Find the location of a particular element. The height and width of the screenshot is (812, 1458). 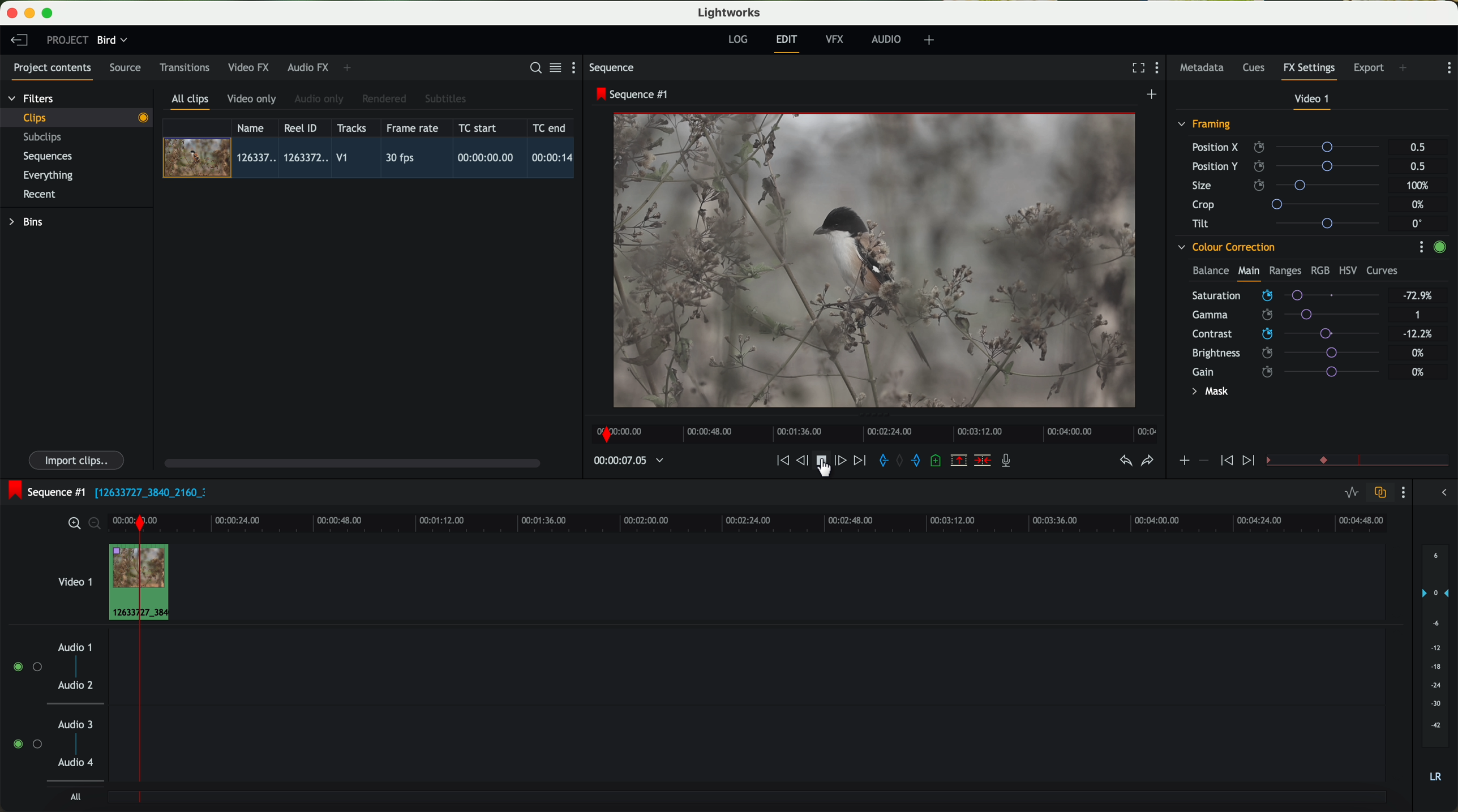

balance is located at coordinates (1211, 272).